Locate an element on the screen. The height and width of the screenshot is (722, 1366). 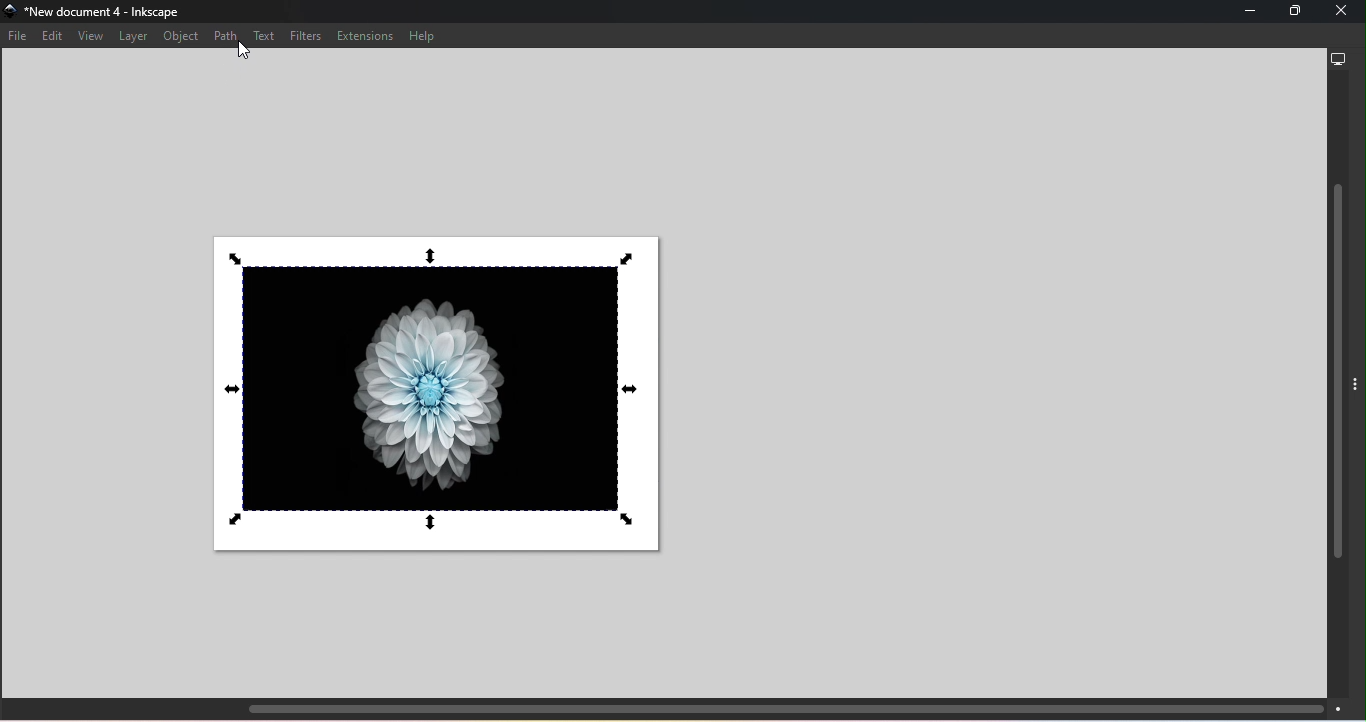
Canvas is located at coordinates (438, 393).